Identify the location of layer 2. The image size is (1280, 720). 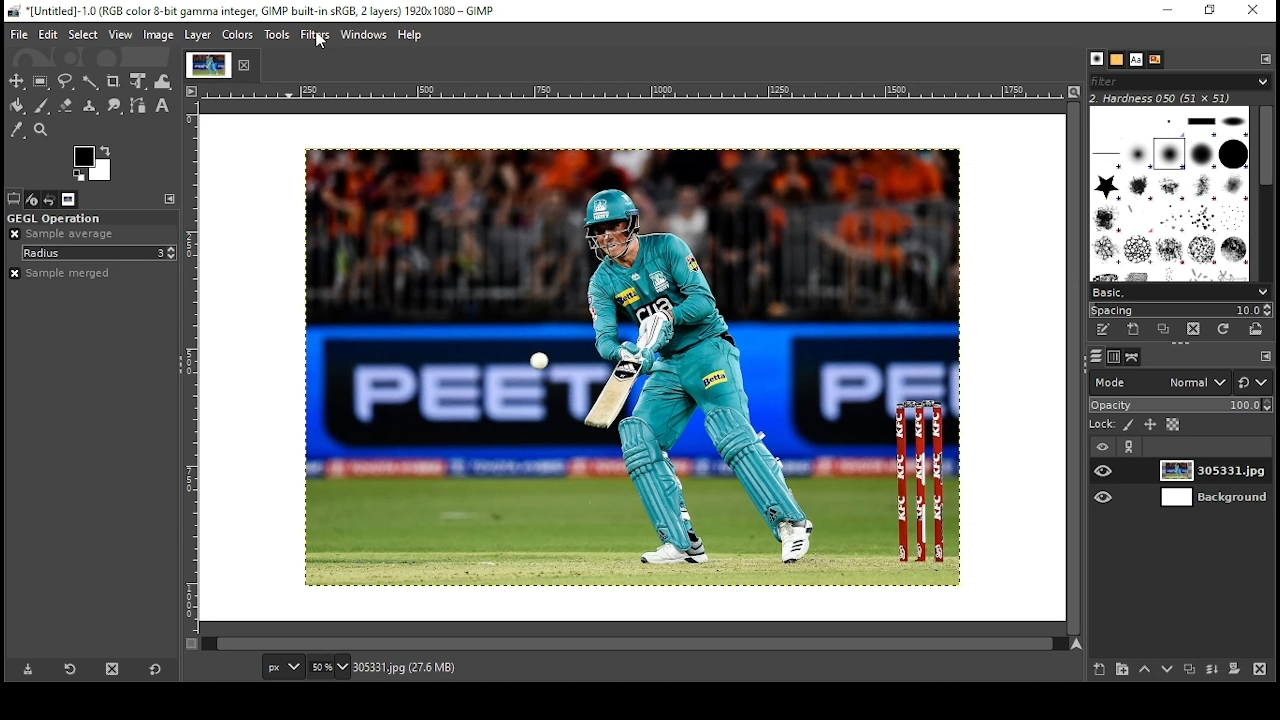
(1216, 499).